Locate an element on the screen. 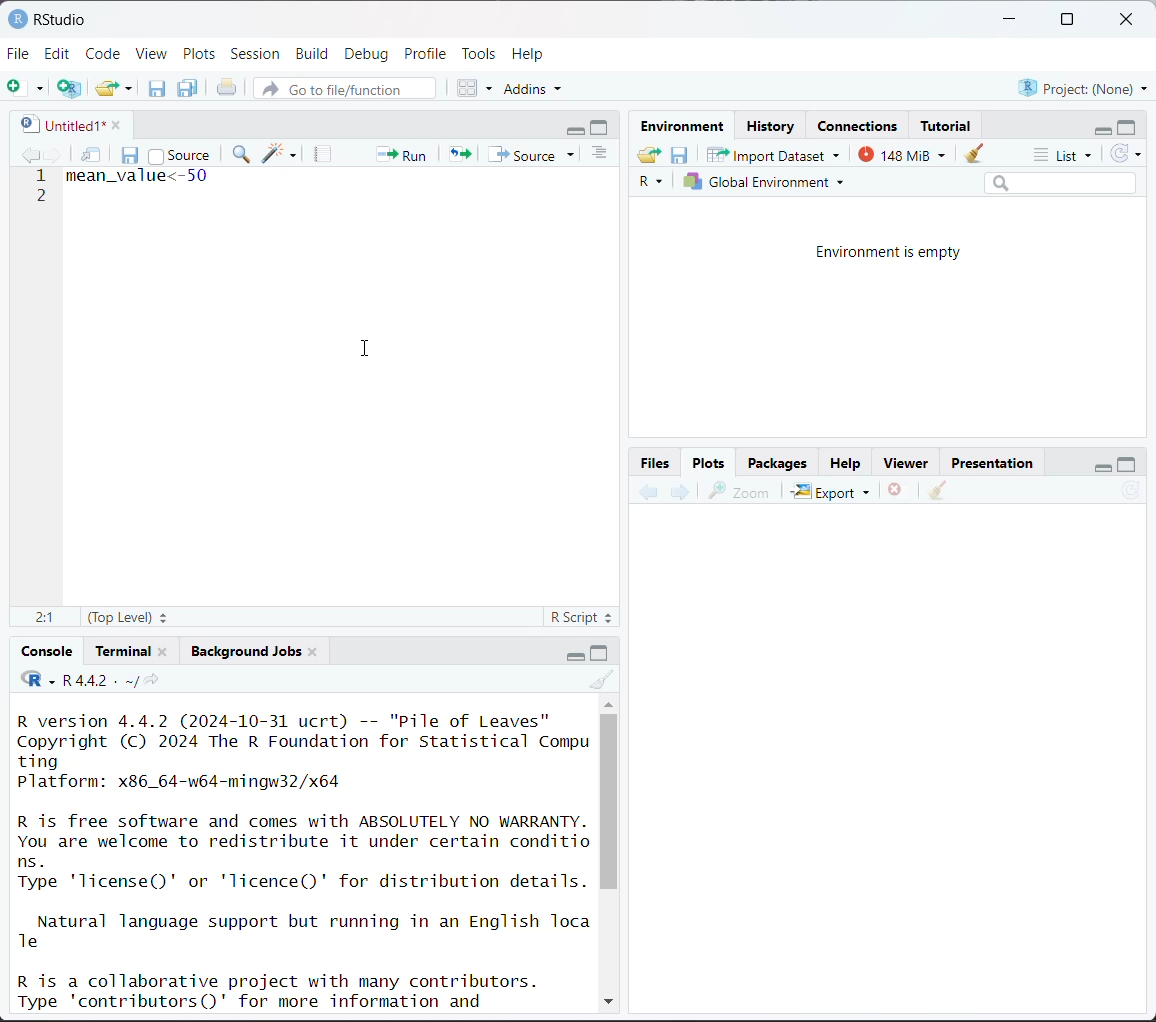  Debug is located at coordinates (366, 54).